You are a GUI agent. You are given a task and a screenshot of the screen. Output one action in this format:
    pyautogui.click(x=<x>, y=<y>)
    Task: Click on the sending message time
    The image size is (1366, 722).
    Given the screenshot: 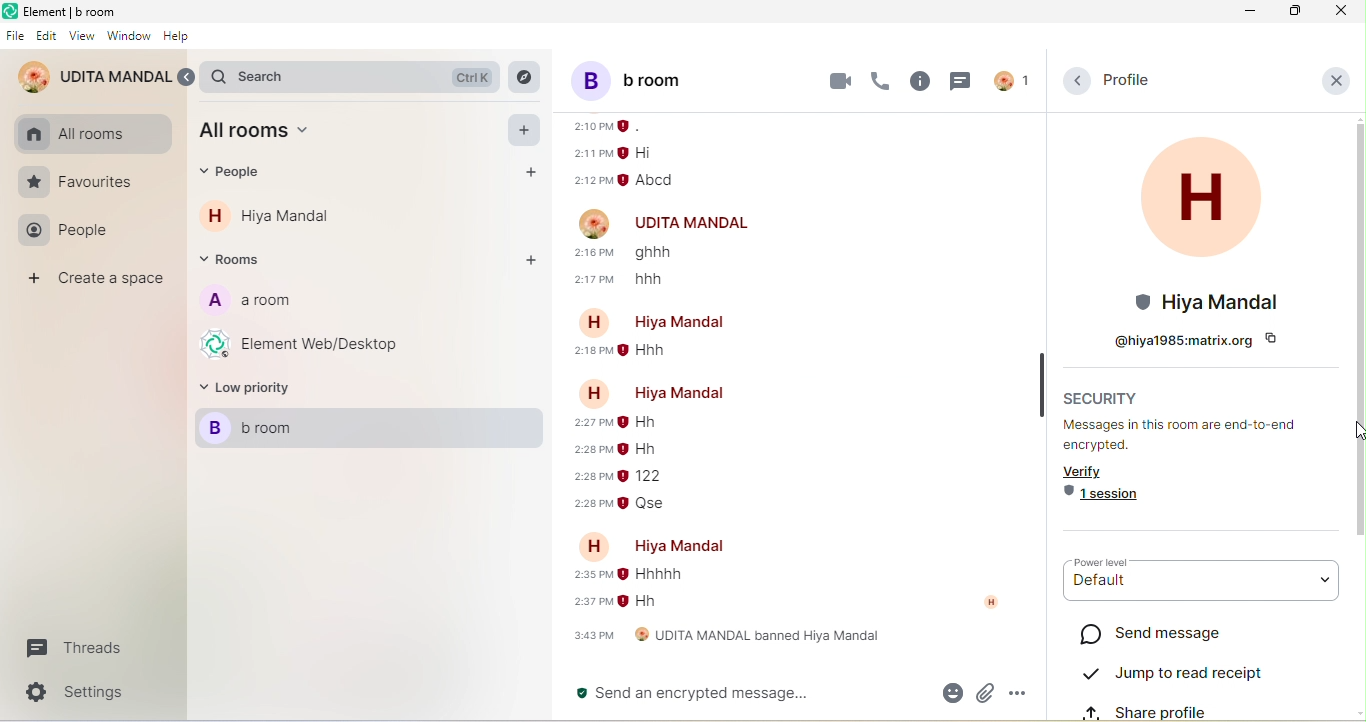 What is the action you would take?
    pyautogui.click(x=596, y=280)
    